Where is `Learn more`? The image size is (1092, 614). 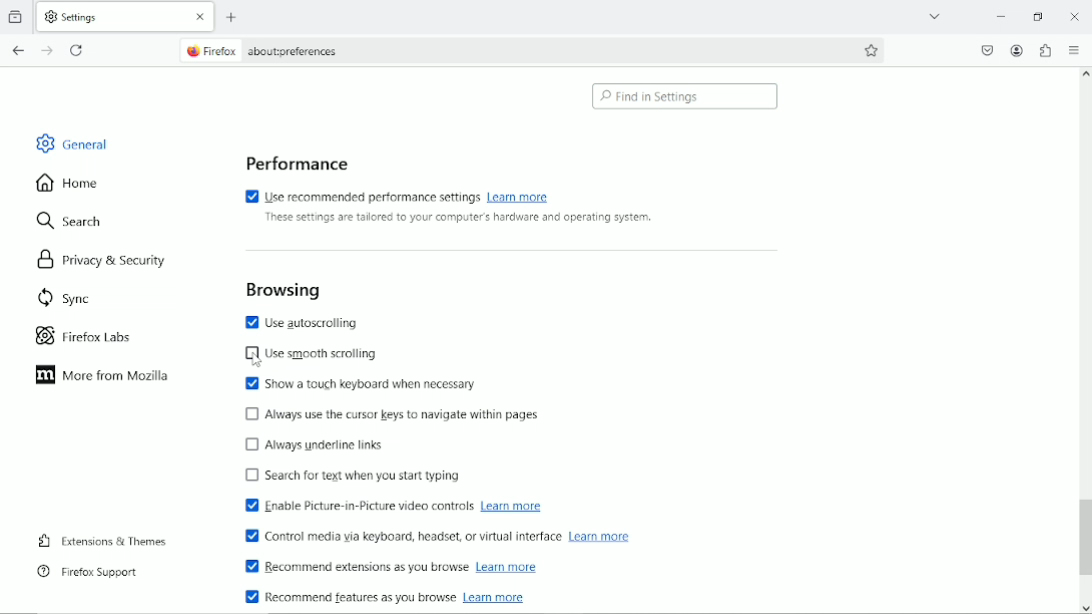
Learn more is located at coordinates (505, 568).